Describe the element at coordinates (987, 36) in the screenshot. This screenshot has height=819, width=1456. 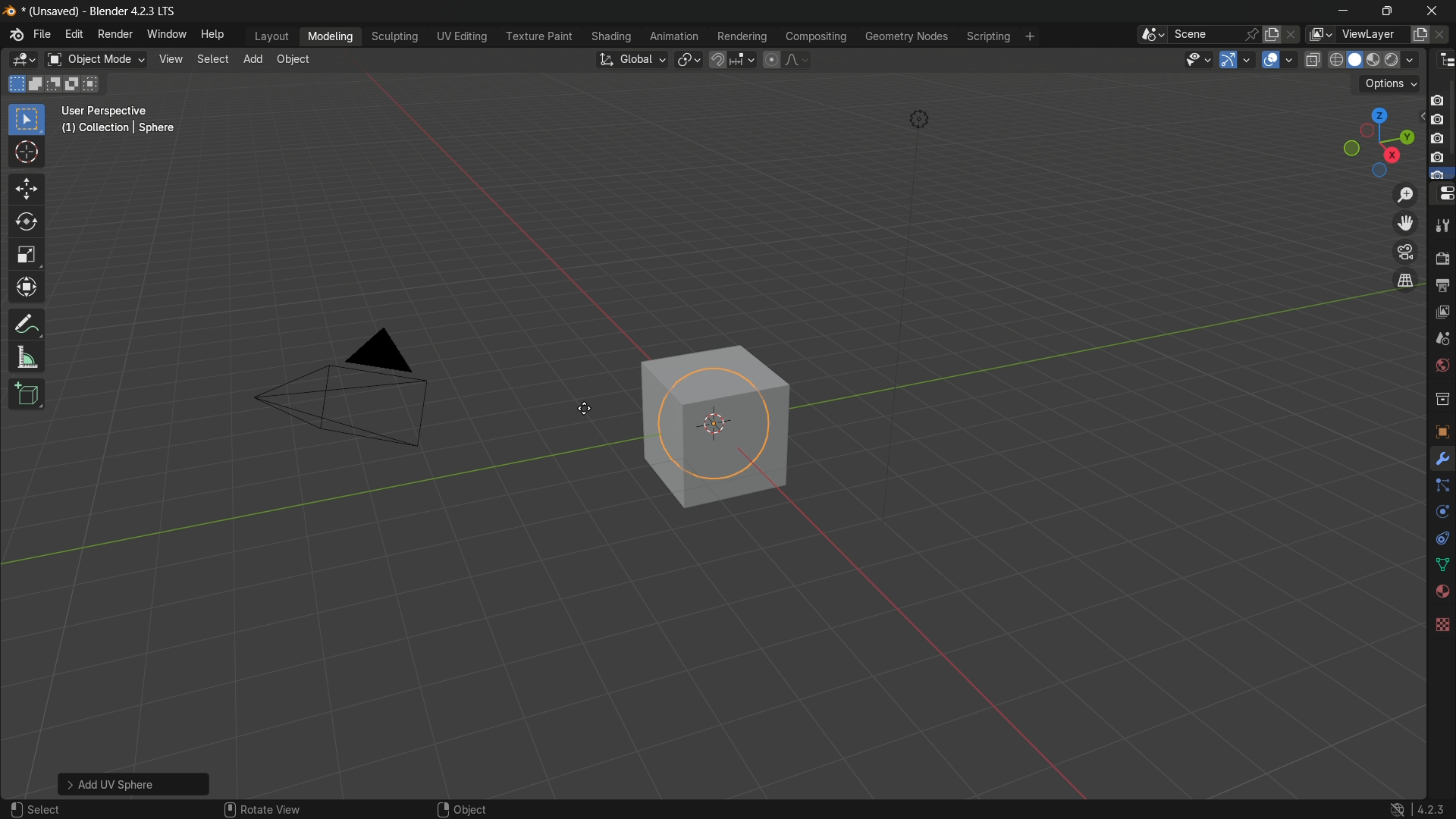
I see `scripting menu` at that location.